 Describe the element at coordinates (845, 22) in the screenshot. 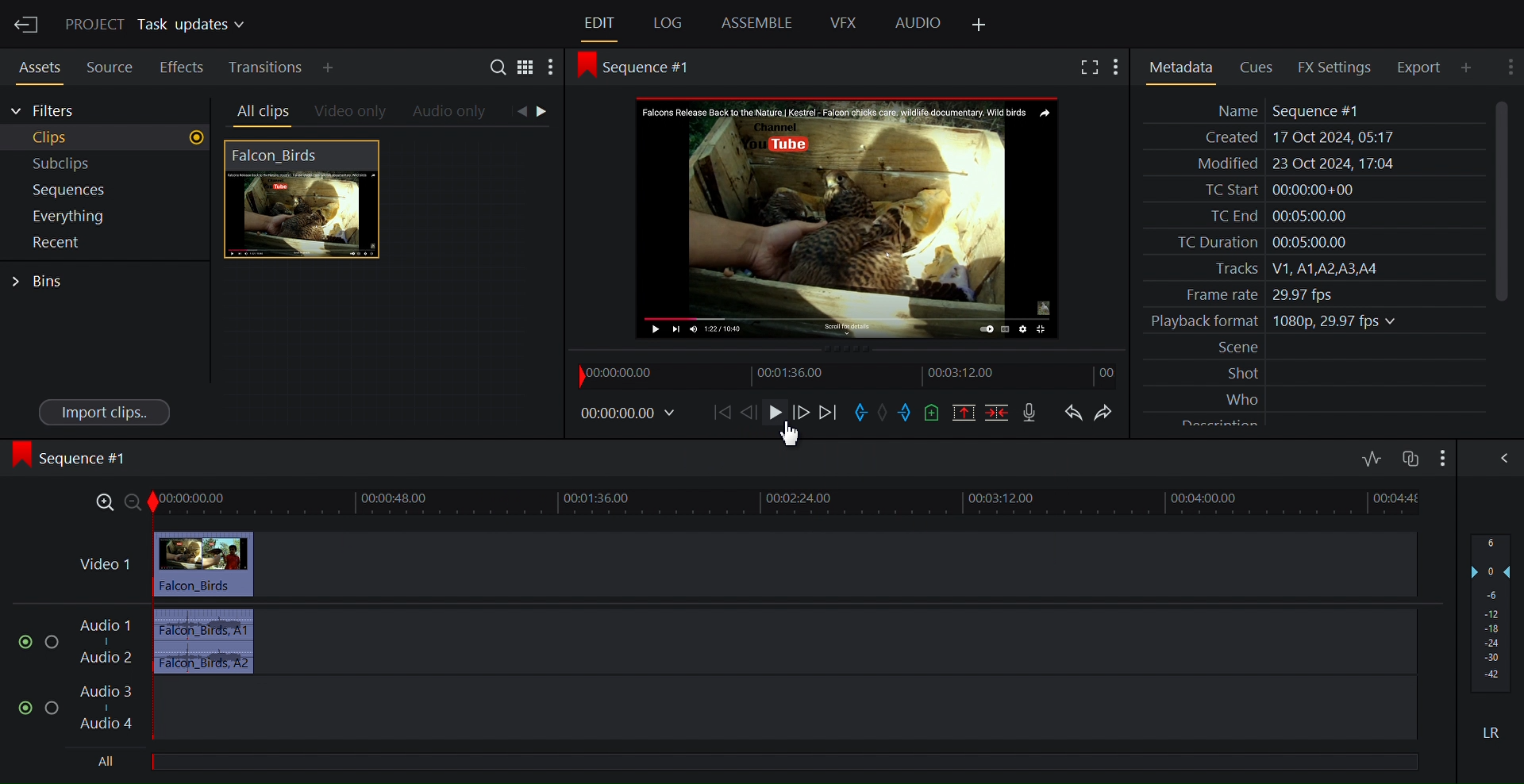

I see `VFX` at that location.